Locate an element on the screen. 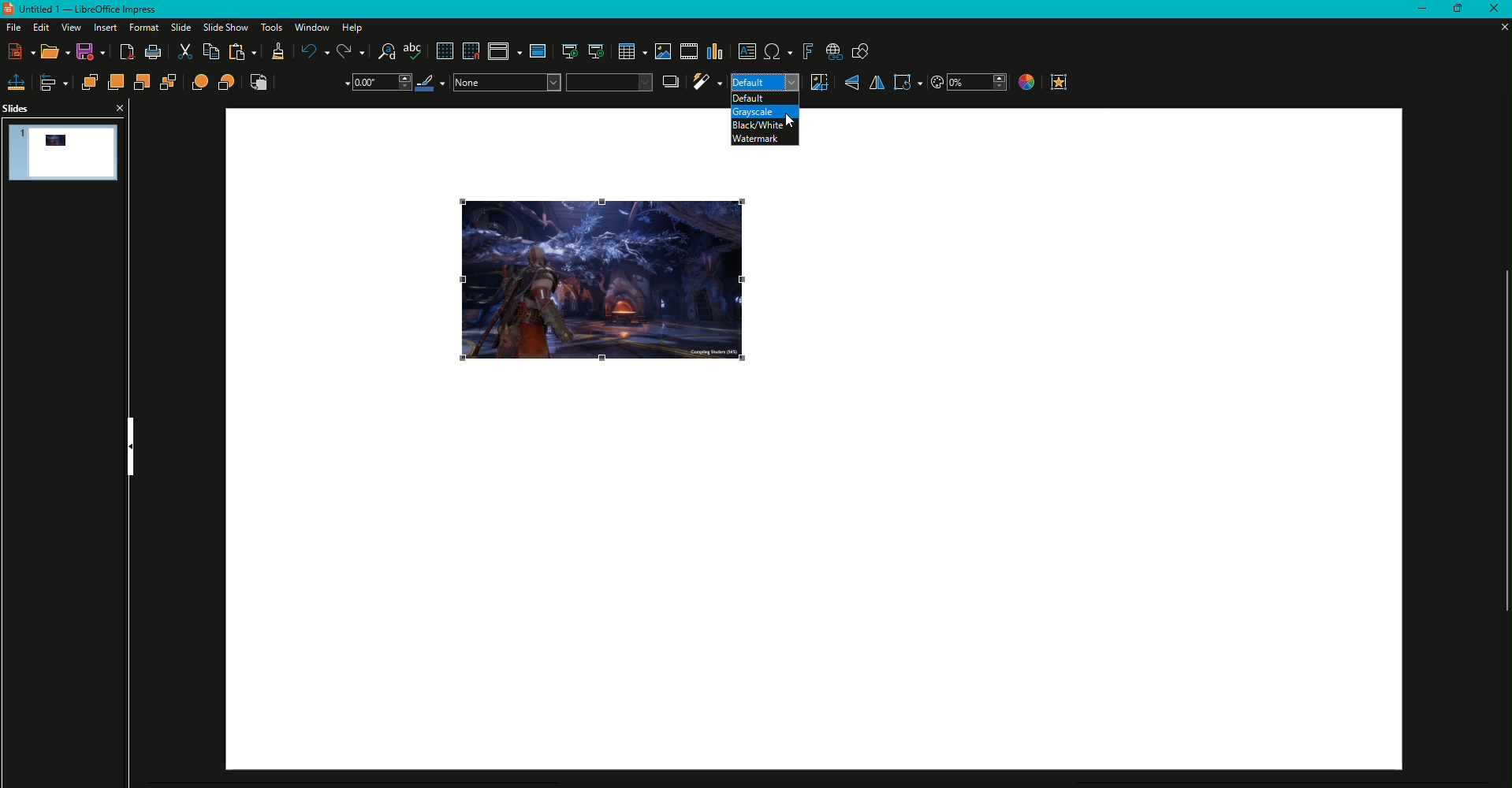 The width and height of the screenshot is (1512, 788). Open is located at coordinates (56, 53).